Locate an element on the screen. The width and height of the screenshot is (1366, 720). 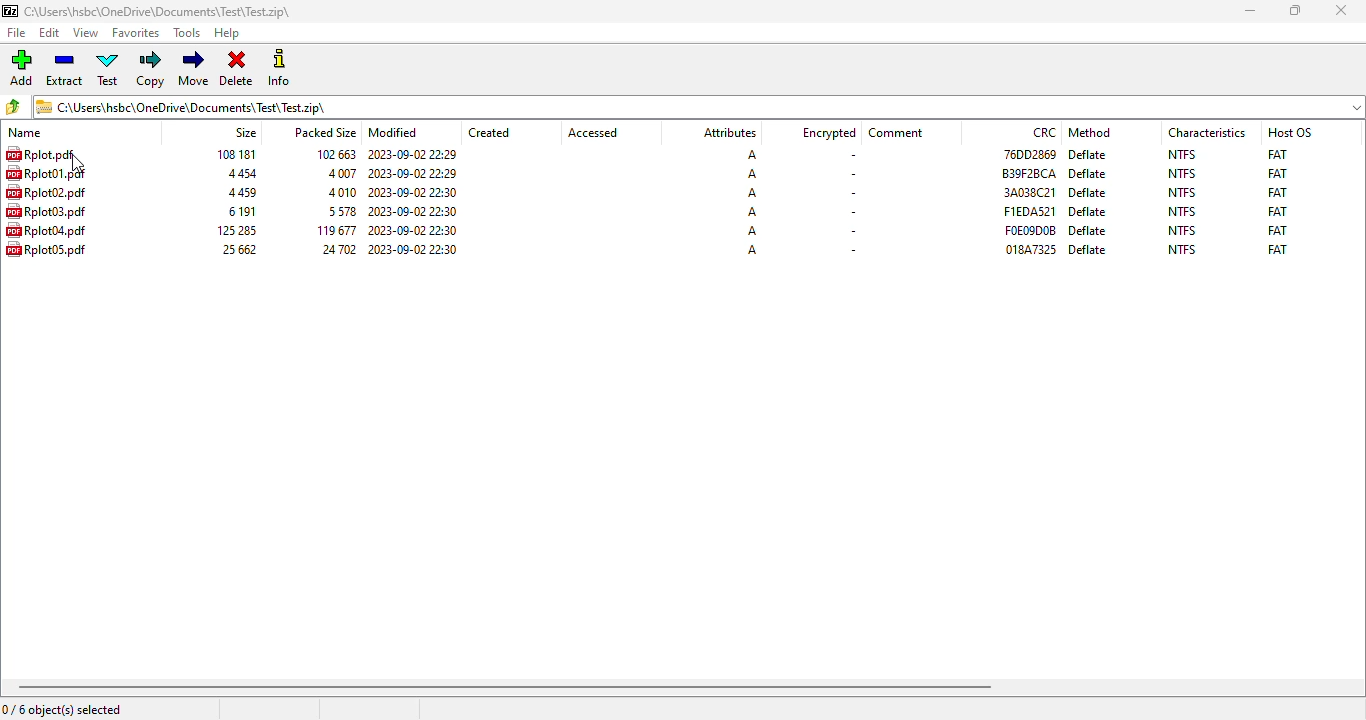
file is located at coordinates (46, 248).